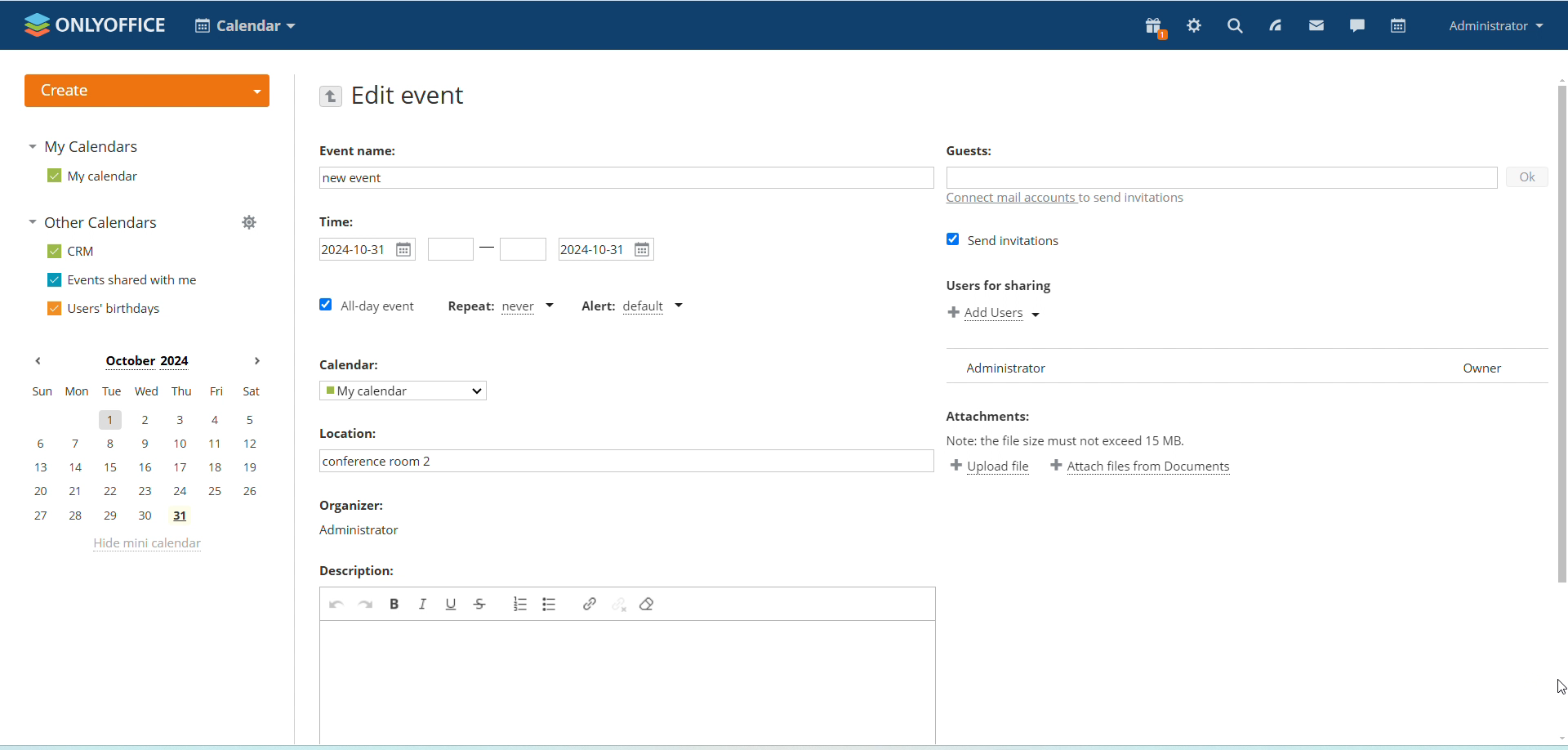 Image resolution: width=1568 pixels, height=750 pixels. Describe the element at coordinates (1235, 25) in the screenshot. I see `search` at that location.